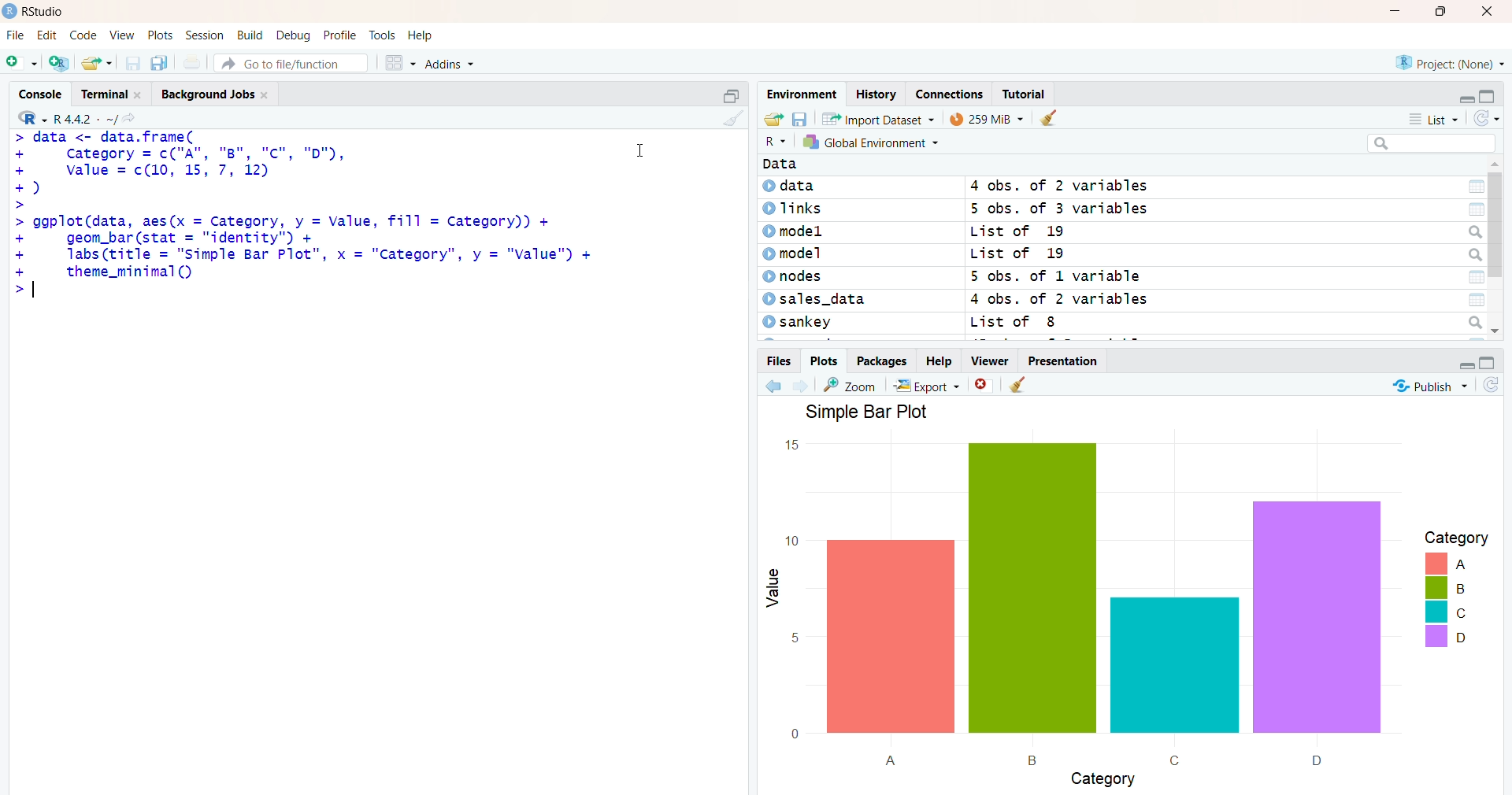  What do you see at coordinates (730, 94) in the screenshot?
I see `maximize` at bounding box center [730, 94].